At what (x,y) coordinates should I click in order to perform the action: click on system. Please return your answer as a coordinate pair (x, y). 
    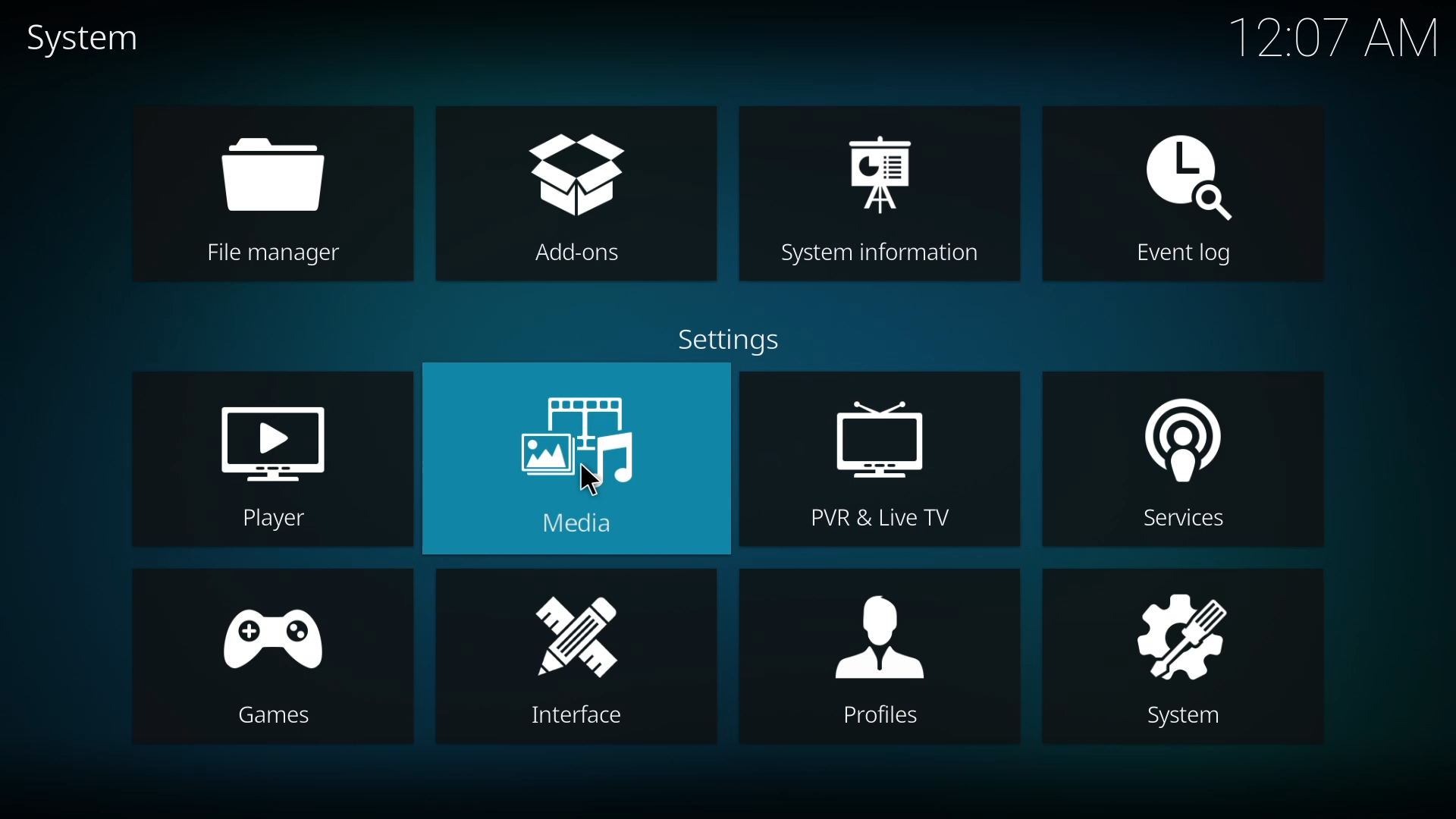
    Looking at the image, I should click on (80, 35).